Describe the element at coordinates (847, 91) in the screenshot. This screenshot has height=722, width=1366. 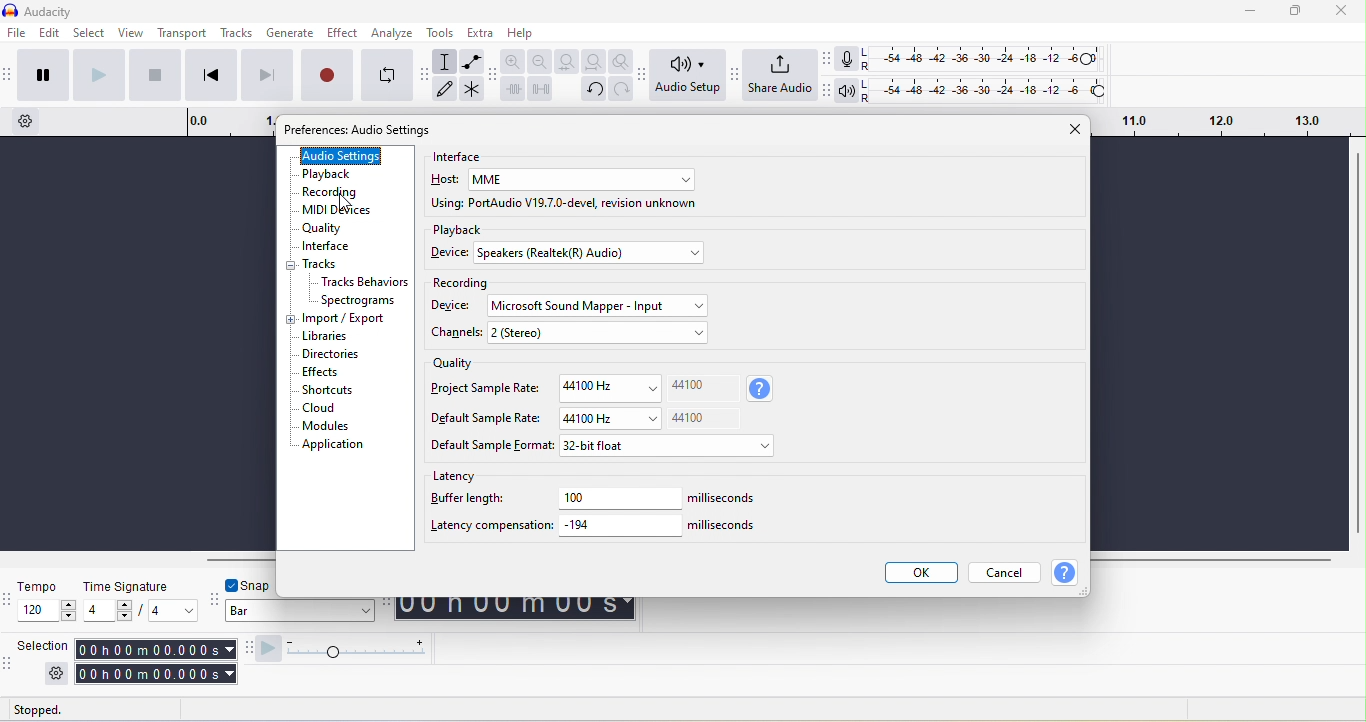
I see `playback meter` at that location.